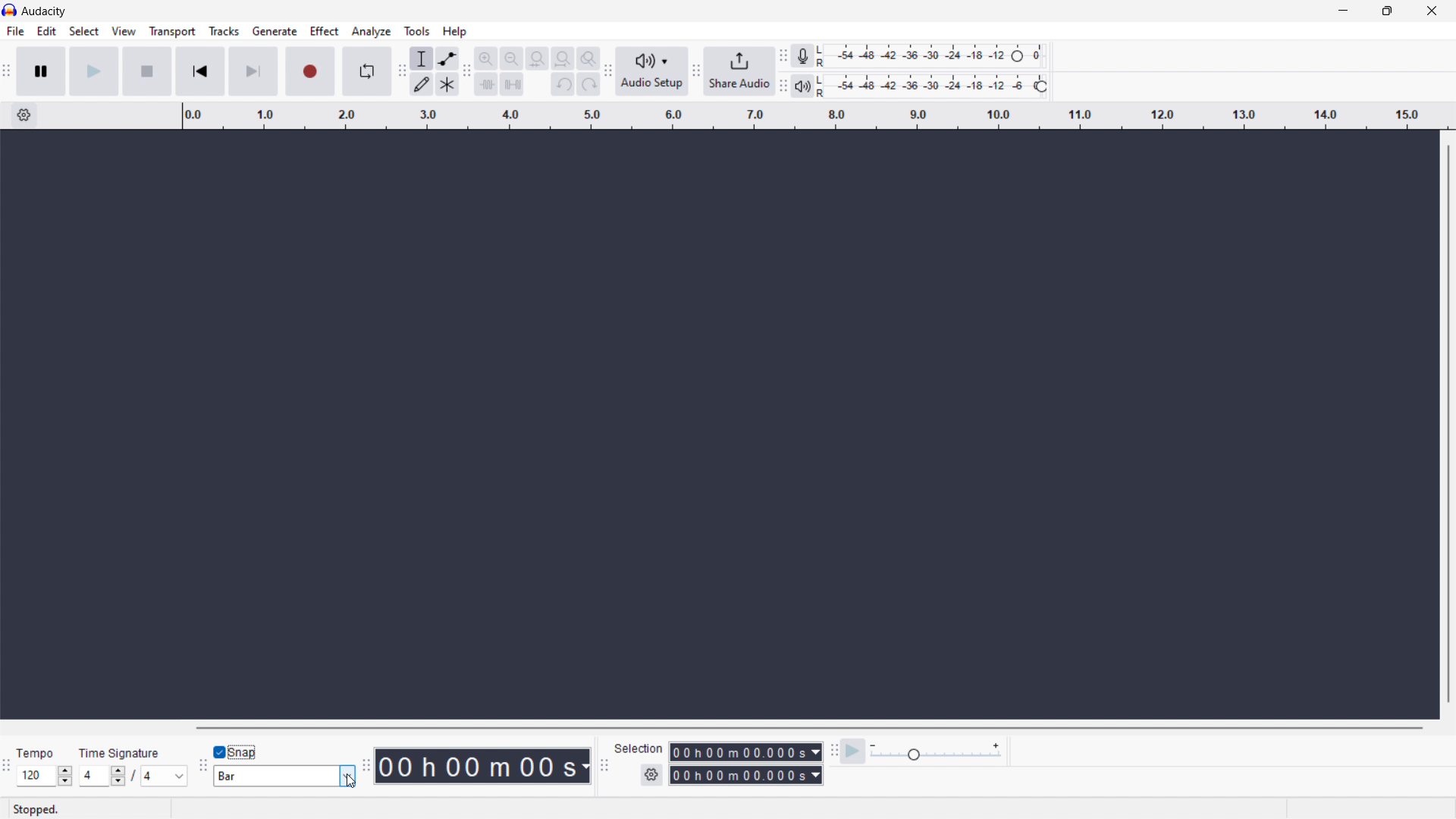 The image size is (1456, 819). What do you see at coordinates (934, 86) in the screenshot?
I see `playback meter` at bounding box center [934, 86].